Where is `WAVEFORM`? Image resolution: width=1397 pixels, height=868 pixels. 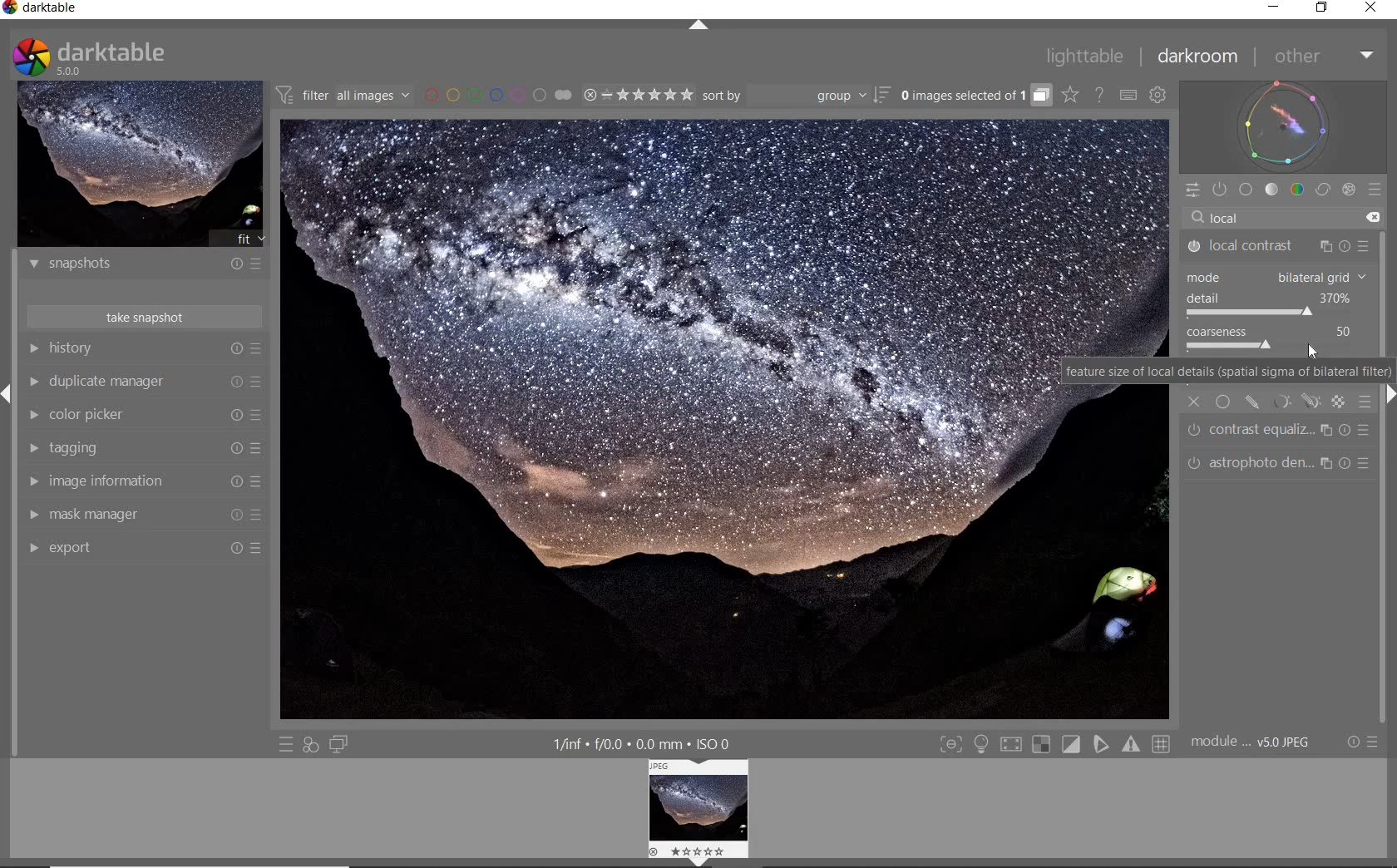
WAVEFORM is located at coordinates (1284, 126).